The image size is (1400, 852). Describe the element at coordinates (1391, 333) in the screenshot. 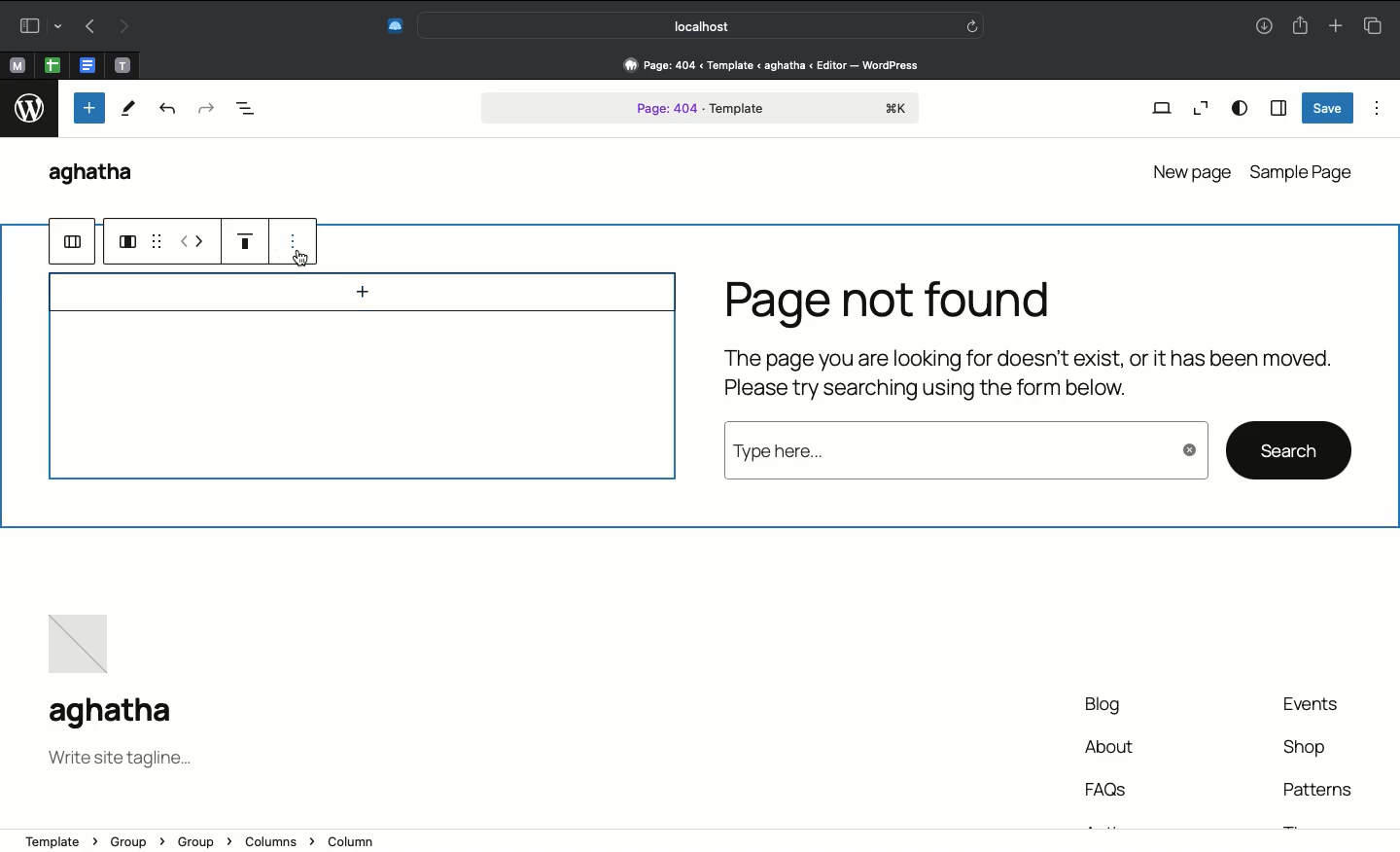

I see `Scrollbar` at that location.